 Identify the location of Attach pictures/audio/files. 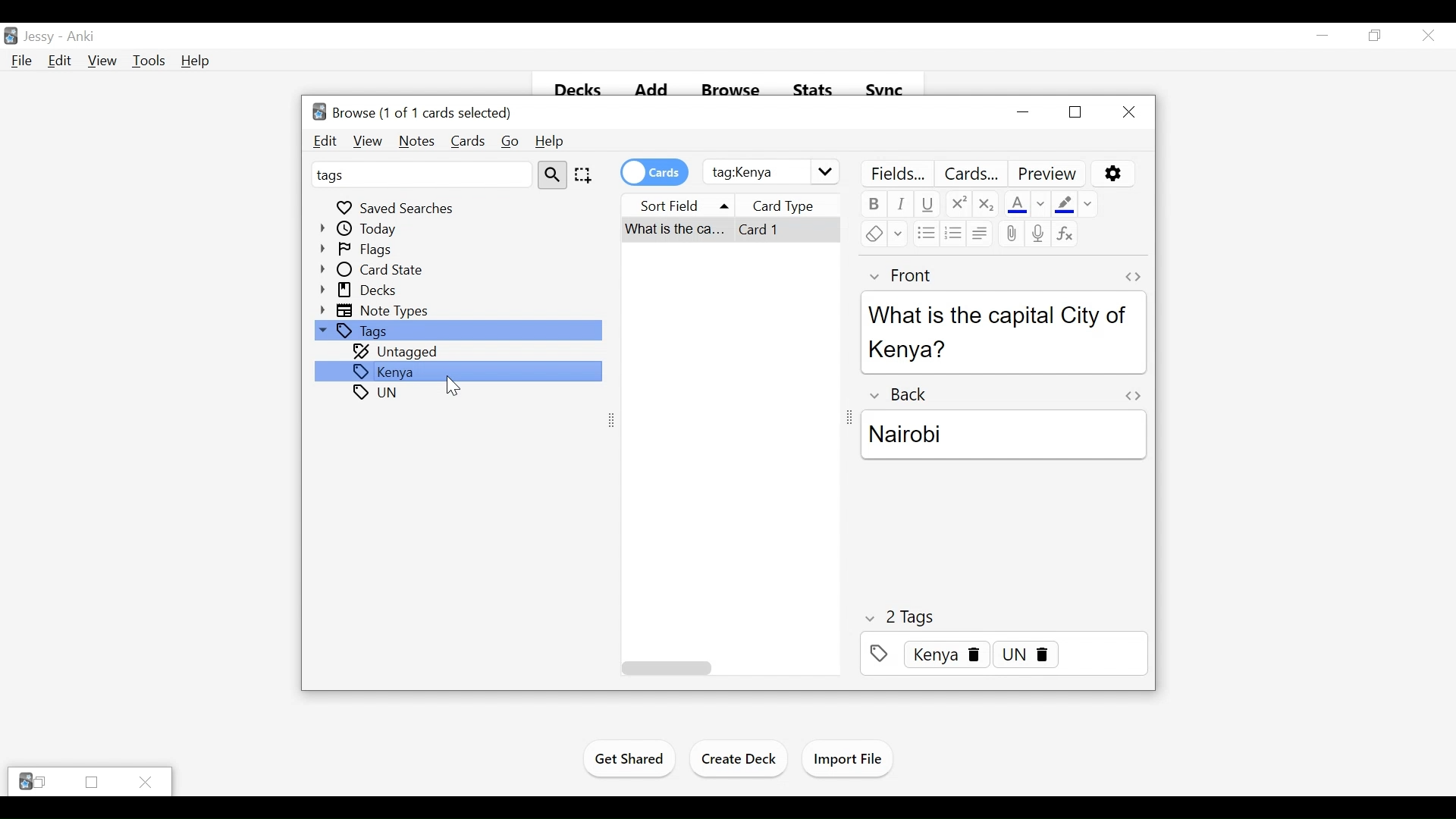
(1011, 234).